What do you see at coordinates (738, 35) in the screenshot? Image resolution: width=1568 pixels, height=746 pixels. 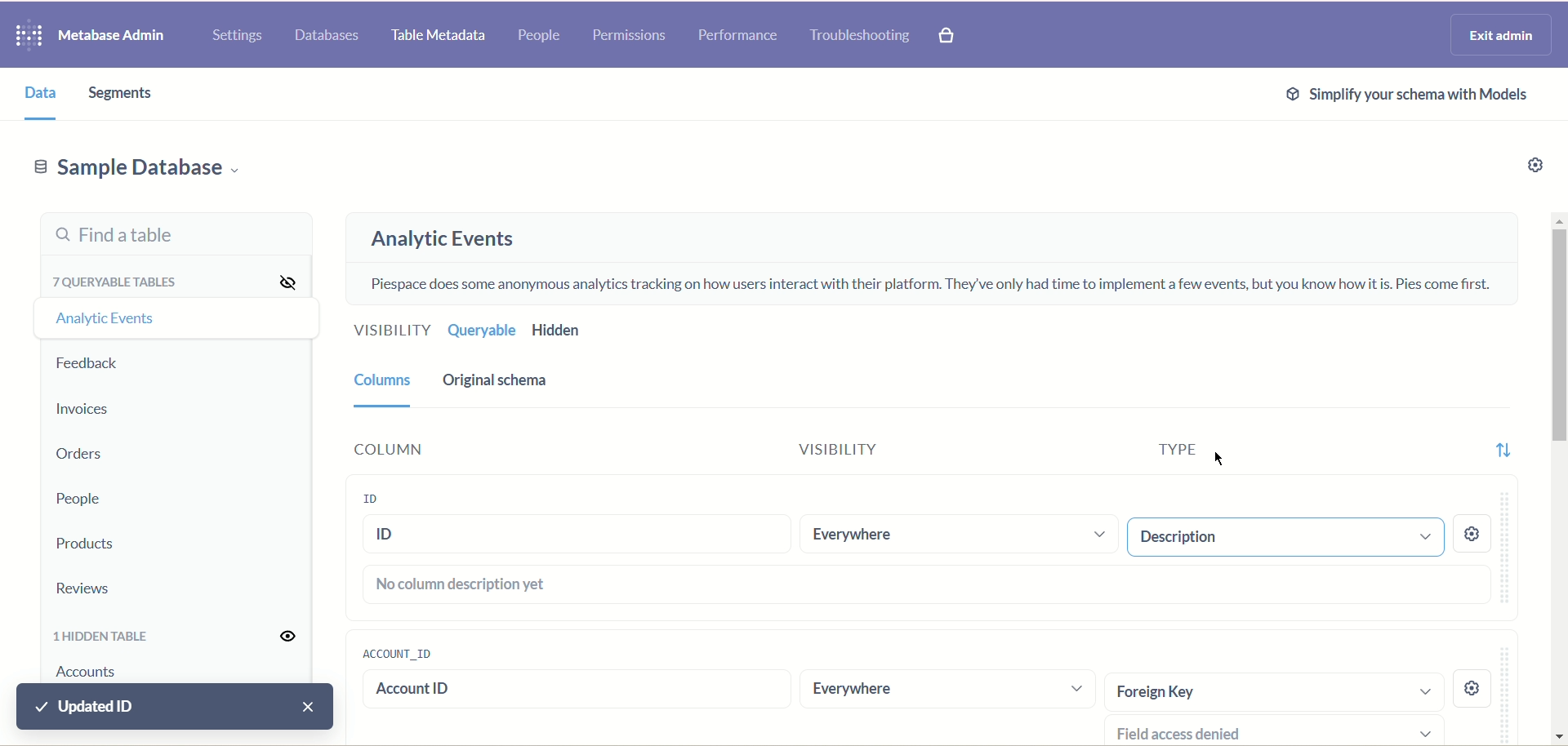 I see `performance` at bounding box center [738, 35].